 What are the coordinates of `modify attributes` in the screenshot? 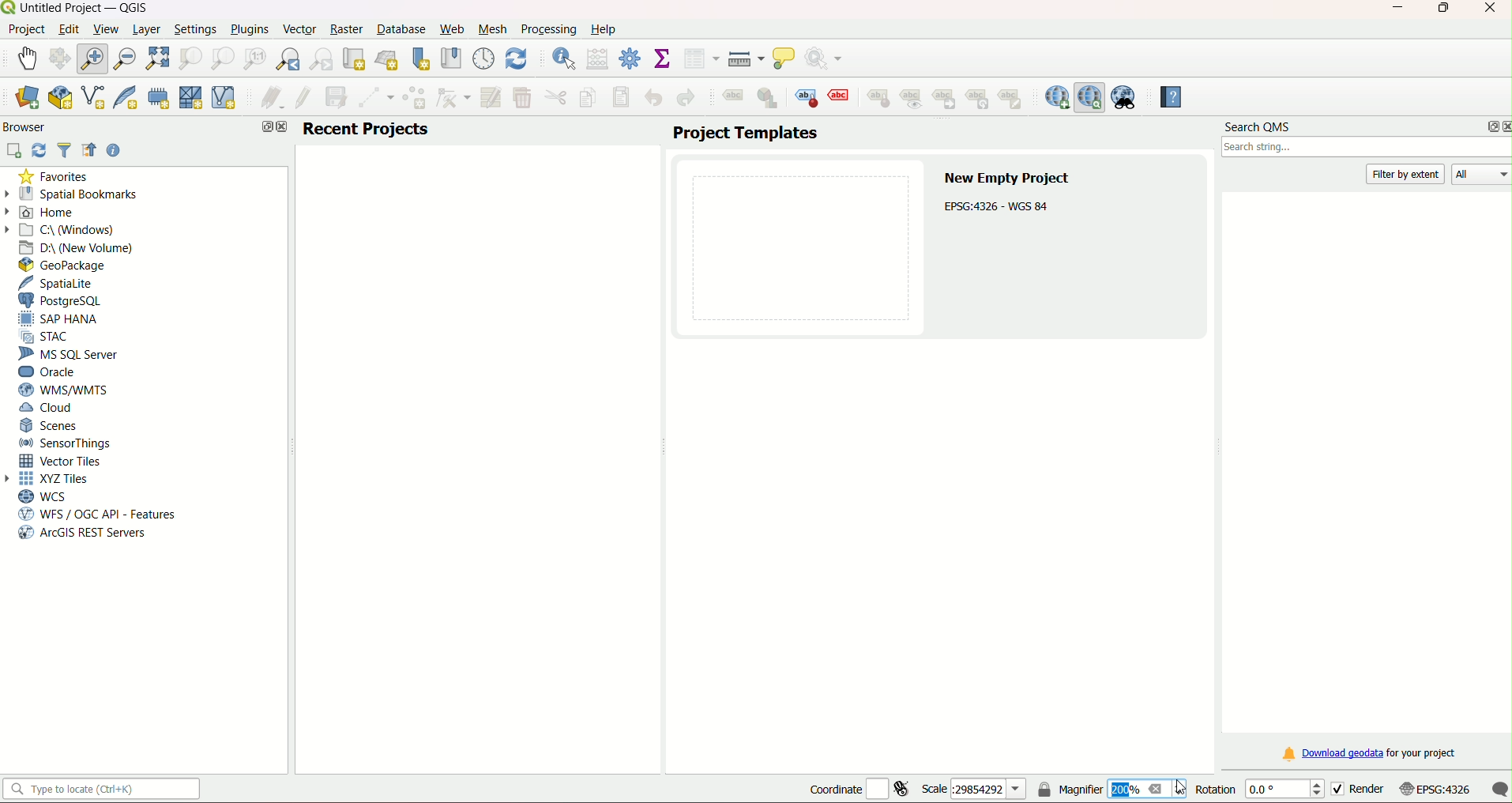 It's located at (491, 96).